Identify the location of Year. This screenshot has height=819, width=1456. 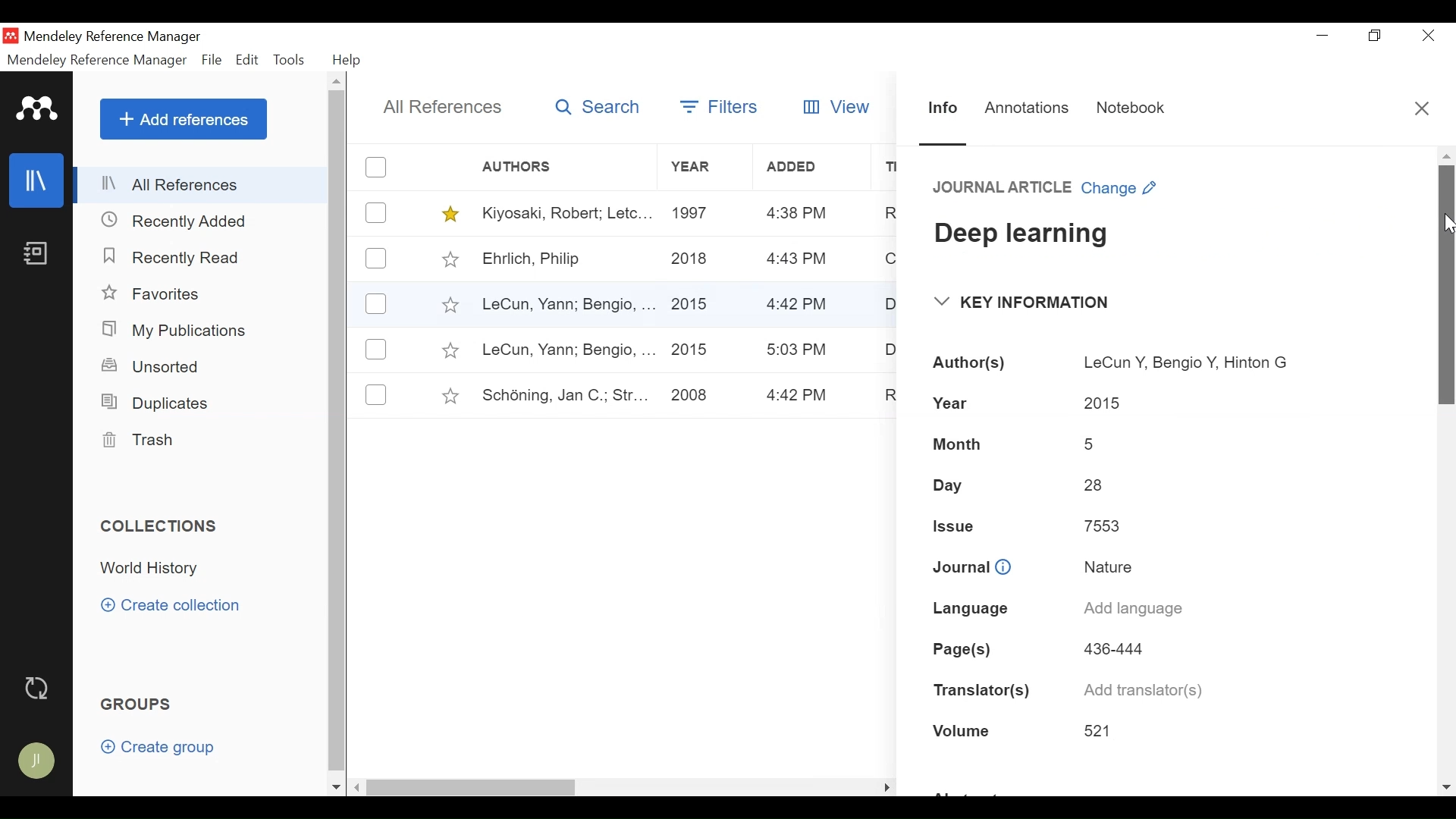
(955, 401).